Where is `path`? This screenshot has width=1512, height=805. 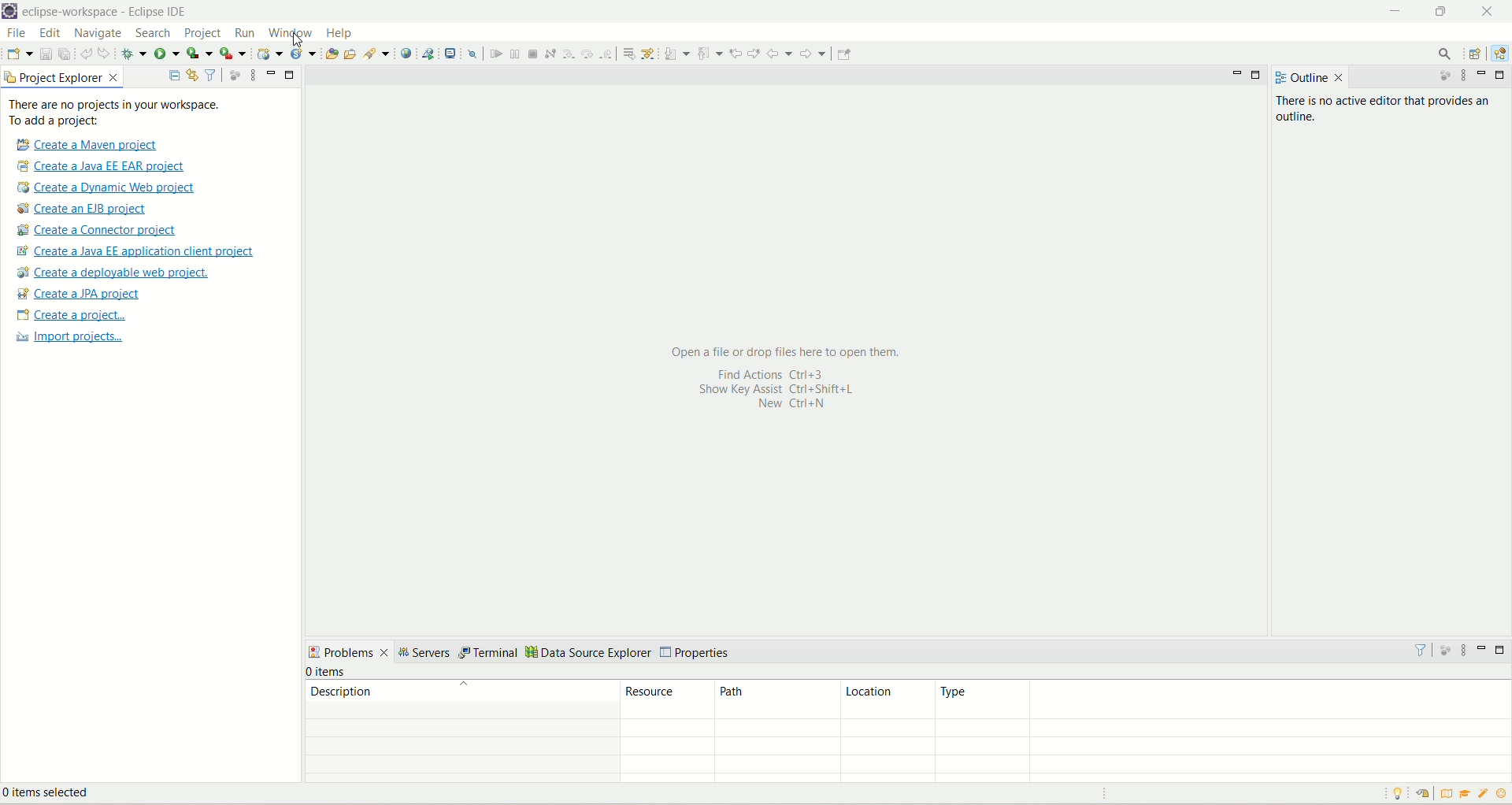
path is located at coordinates (773, 700).